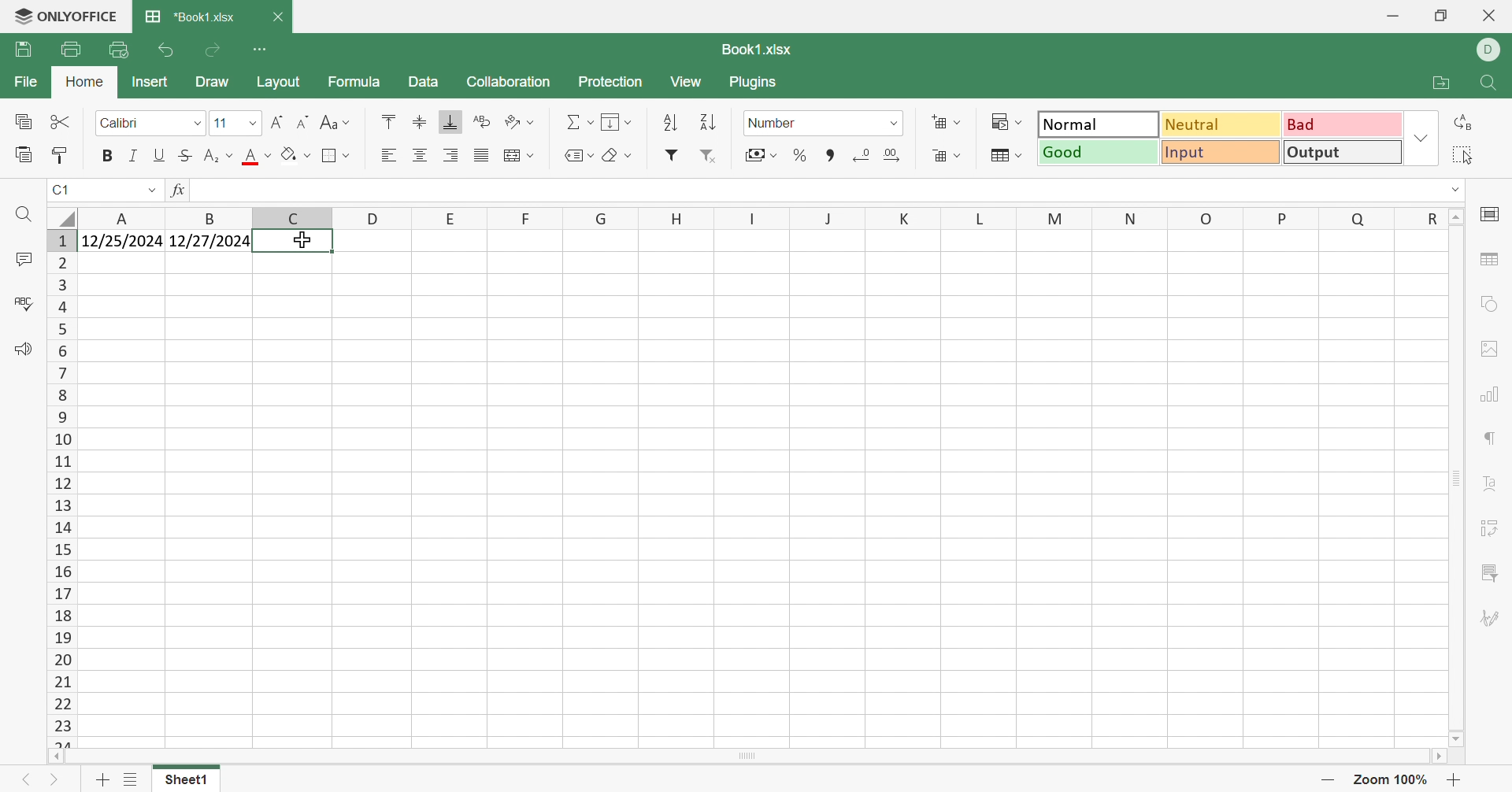 This screenshot has width=1512, height=792. Describe the element at coordinates (1486, 531) in the screenshot. I see `Pivot table settings` at that location.